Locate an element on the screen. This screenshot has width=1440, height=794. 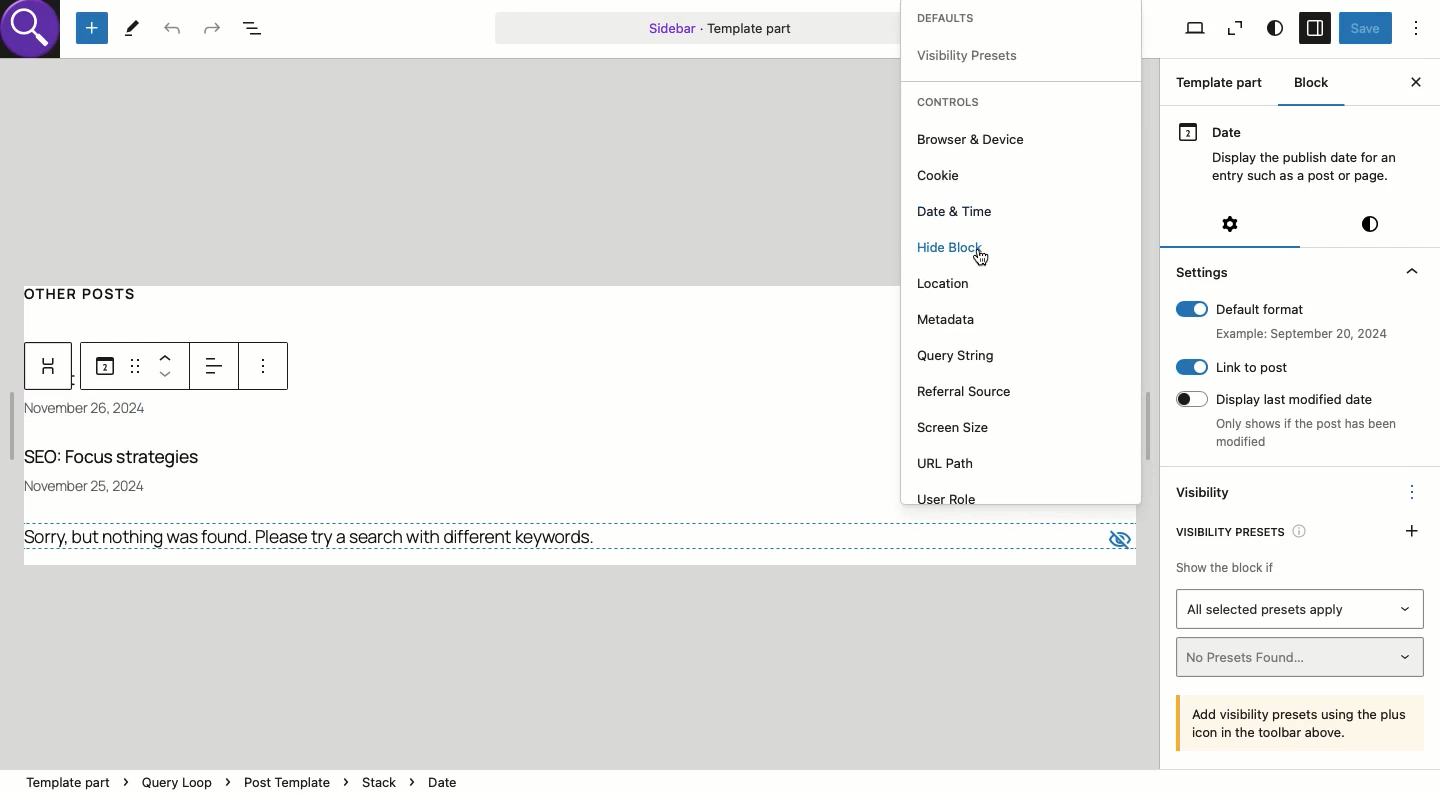
Metadata is located at coordinates (949, 319).